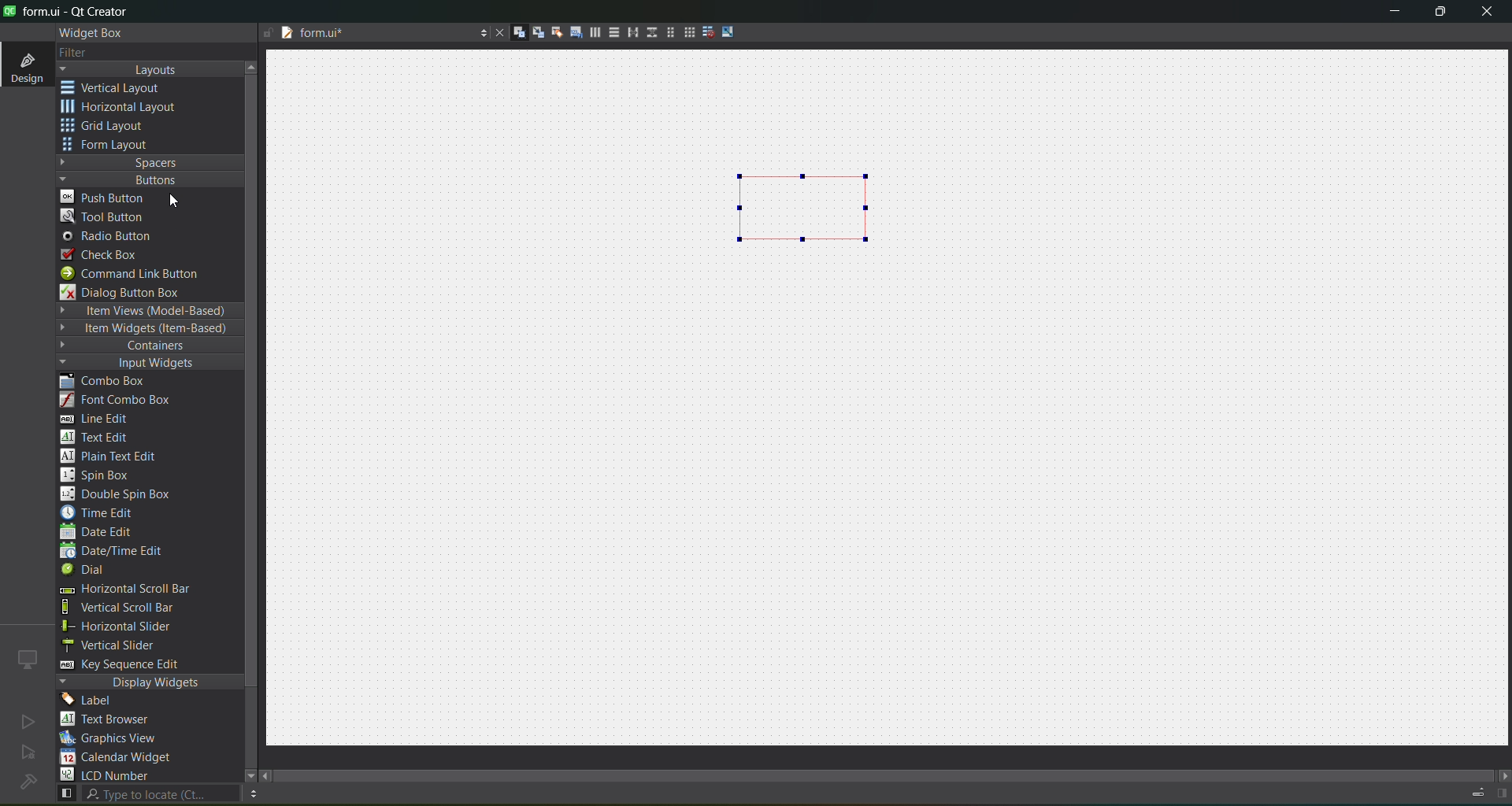 The image size is (1512, 806). Describe the element at coordinates (105, 196) in the screenshot. I see `push` at that location.